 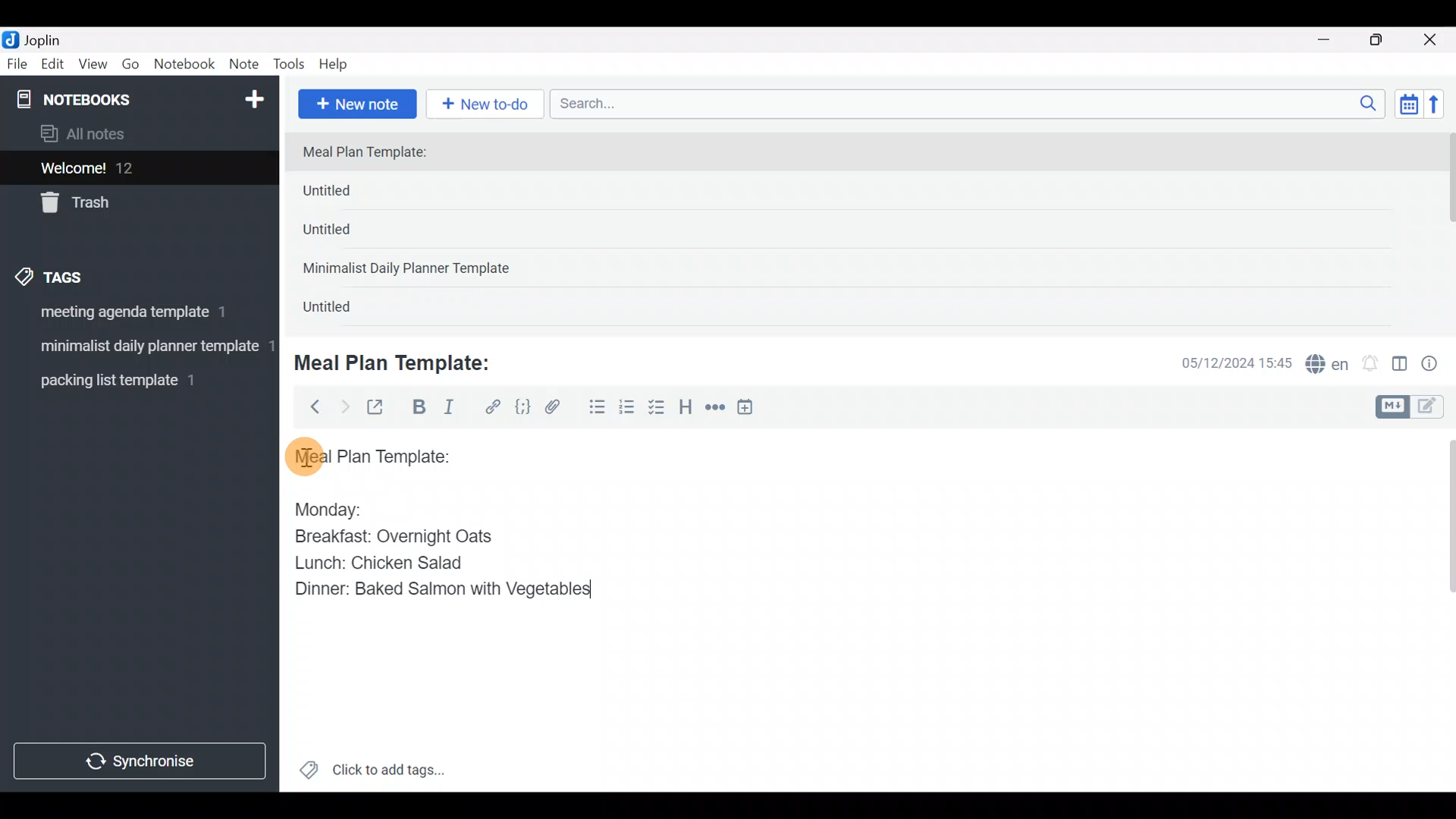 What do you see at coordinates (1385, 40) in the screenshot?
I see `Maximize` at bounding box center [1385, 40].